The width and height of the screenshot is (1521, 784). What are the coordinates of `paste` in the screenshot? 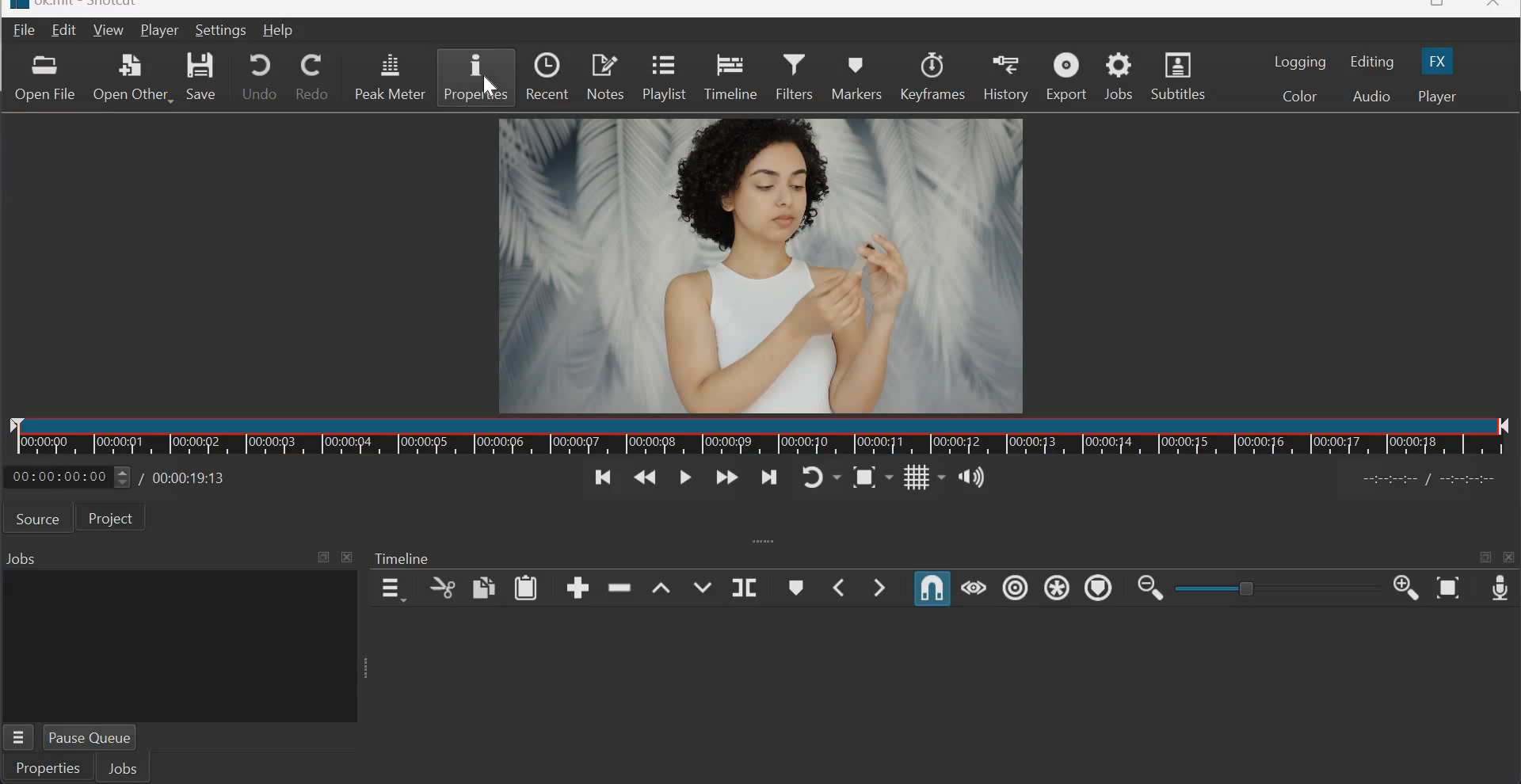 It's located at (527, 588).